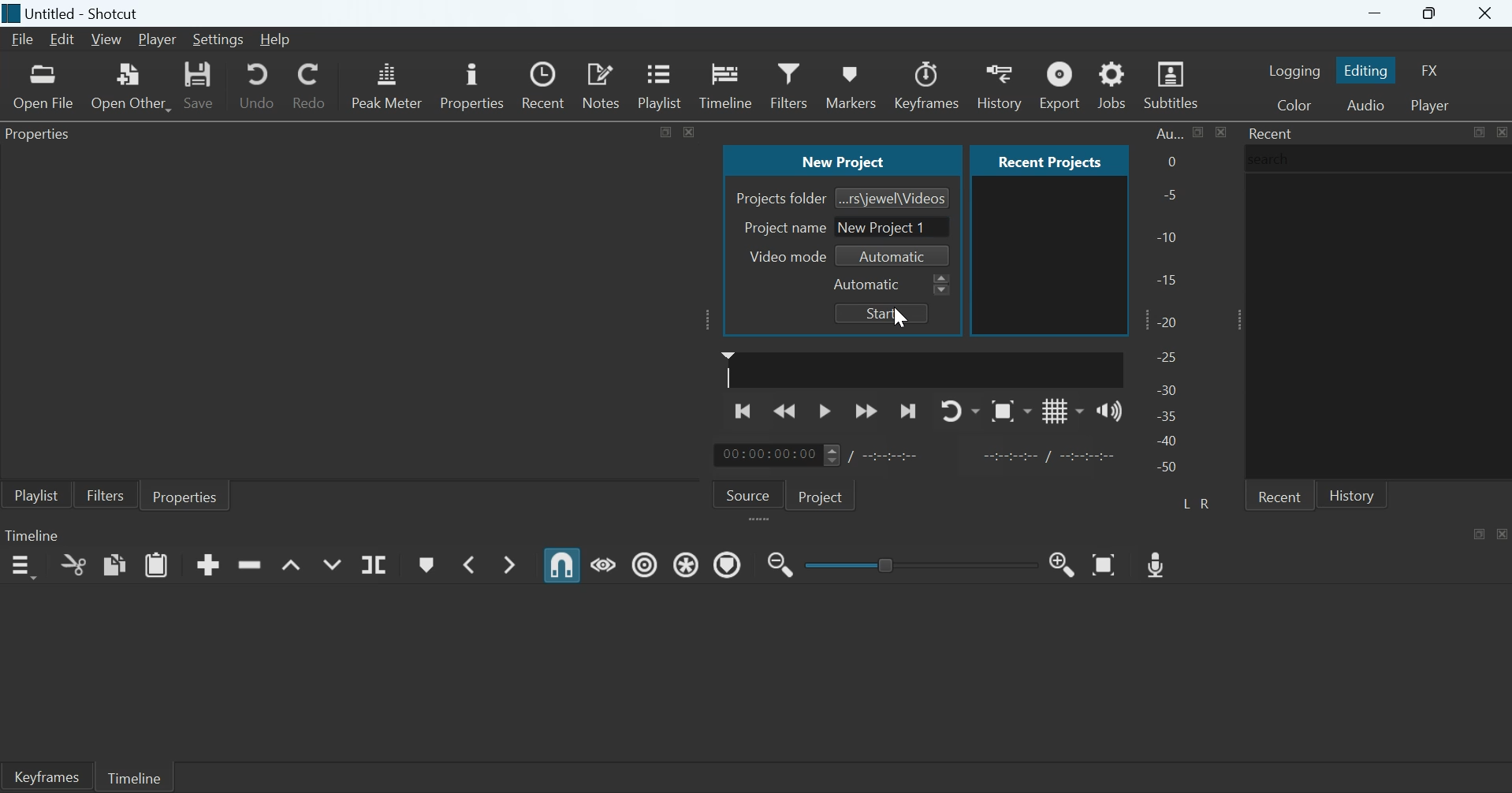 The width and height of the screenshot is (1512, 793). What do you see at coordinates (748, 493) in the screenshot?
I see `Source` at bounding box center [748, 493].